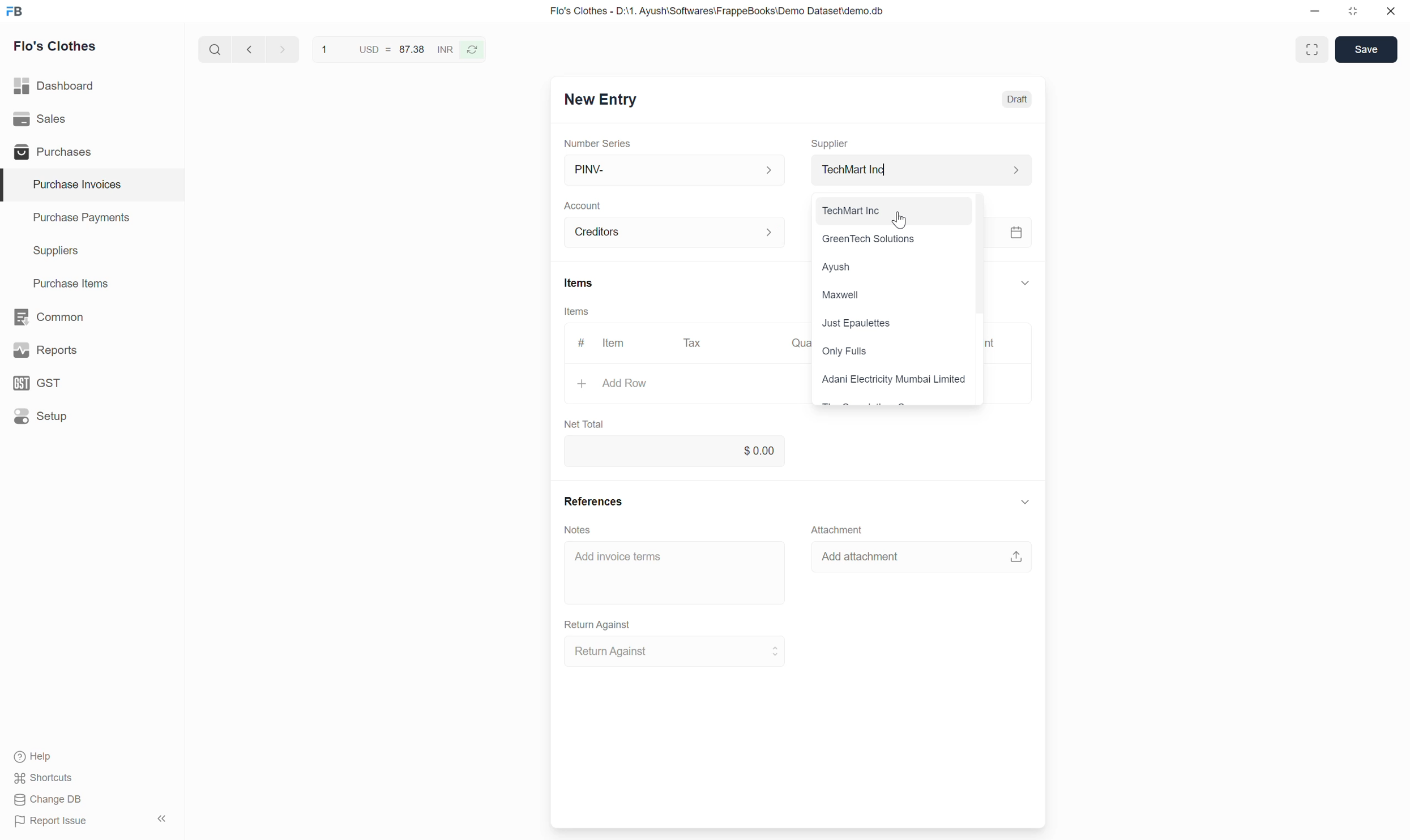 Image resolution: width=1410 pixels, height=840 pixels. What do you see at coordinates (280, 48) in the screenshot?
I see `previous` at bounding box center [280, 48].